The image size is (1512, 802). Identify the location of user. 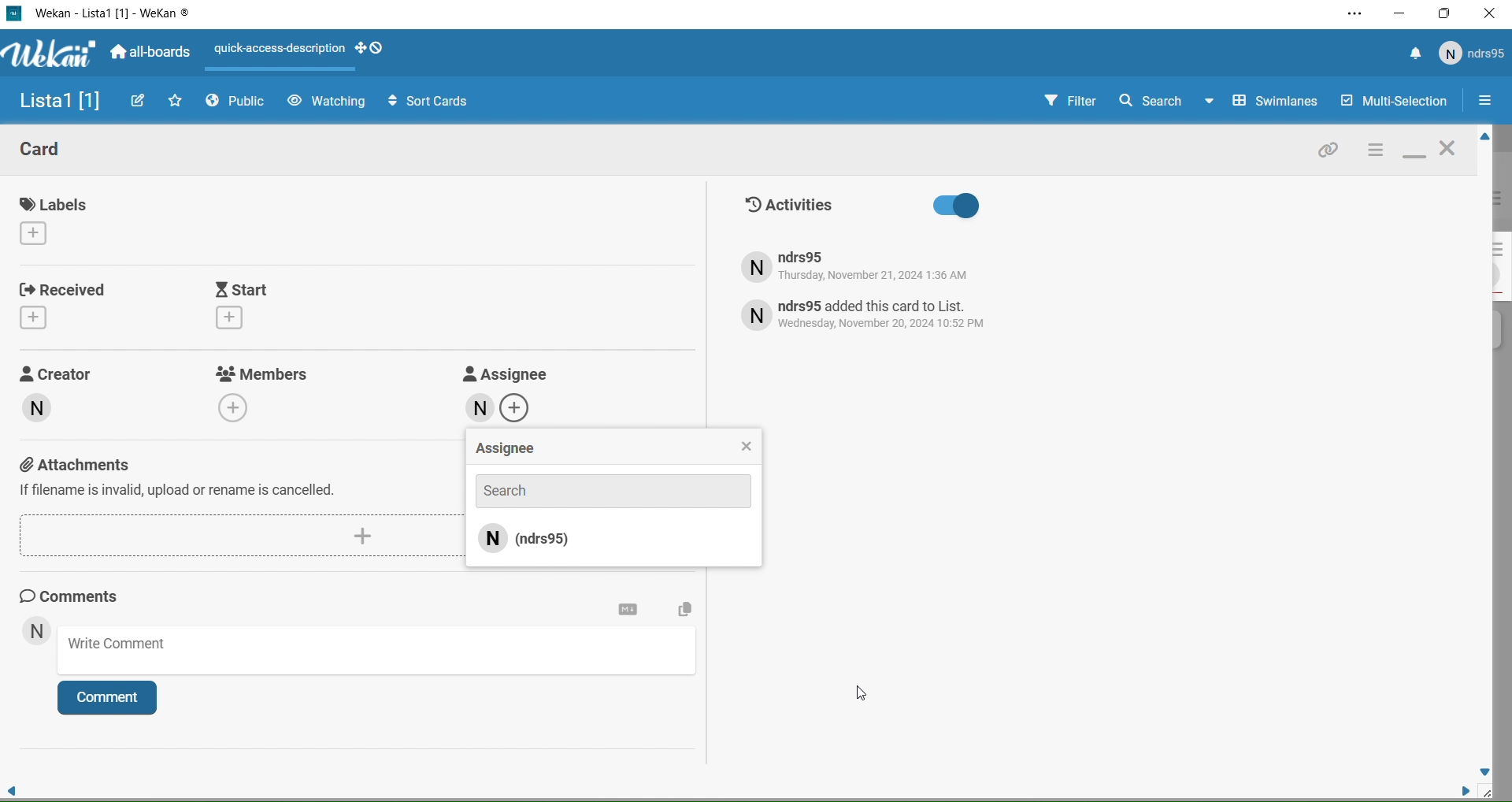
(616, 543).